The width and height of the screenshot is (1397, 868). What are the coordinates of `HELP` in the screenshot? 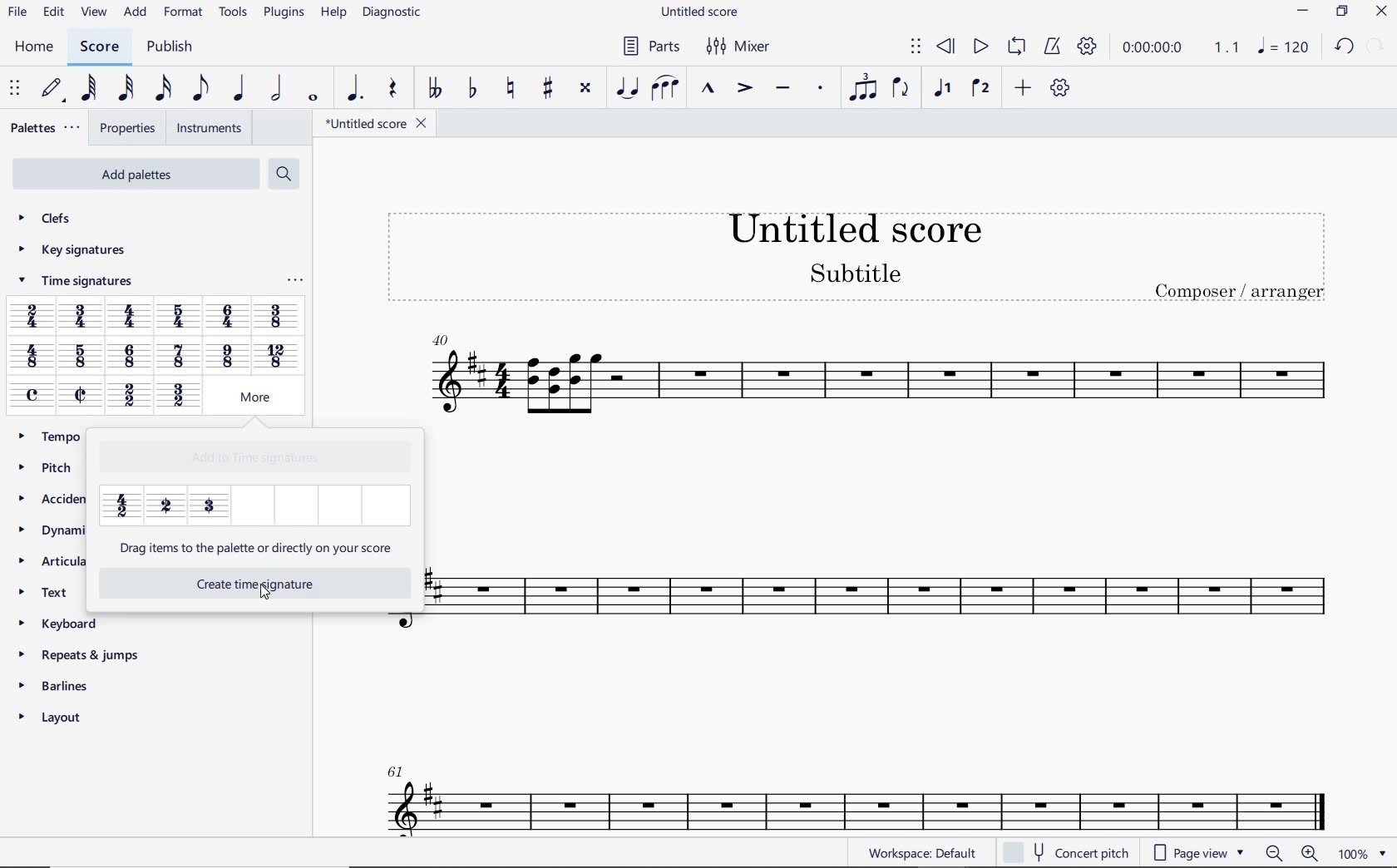 It's located at (333, 14).